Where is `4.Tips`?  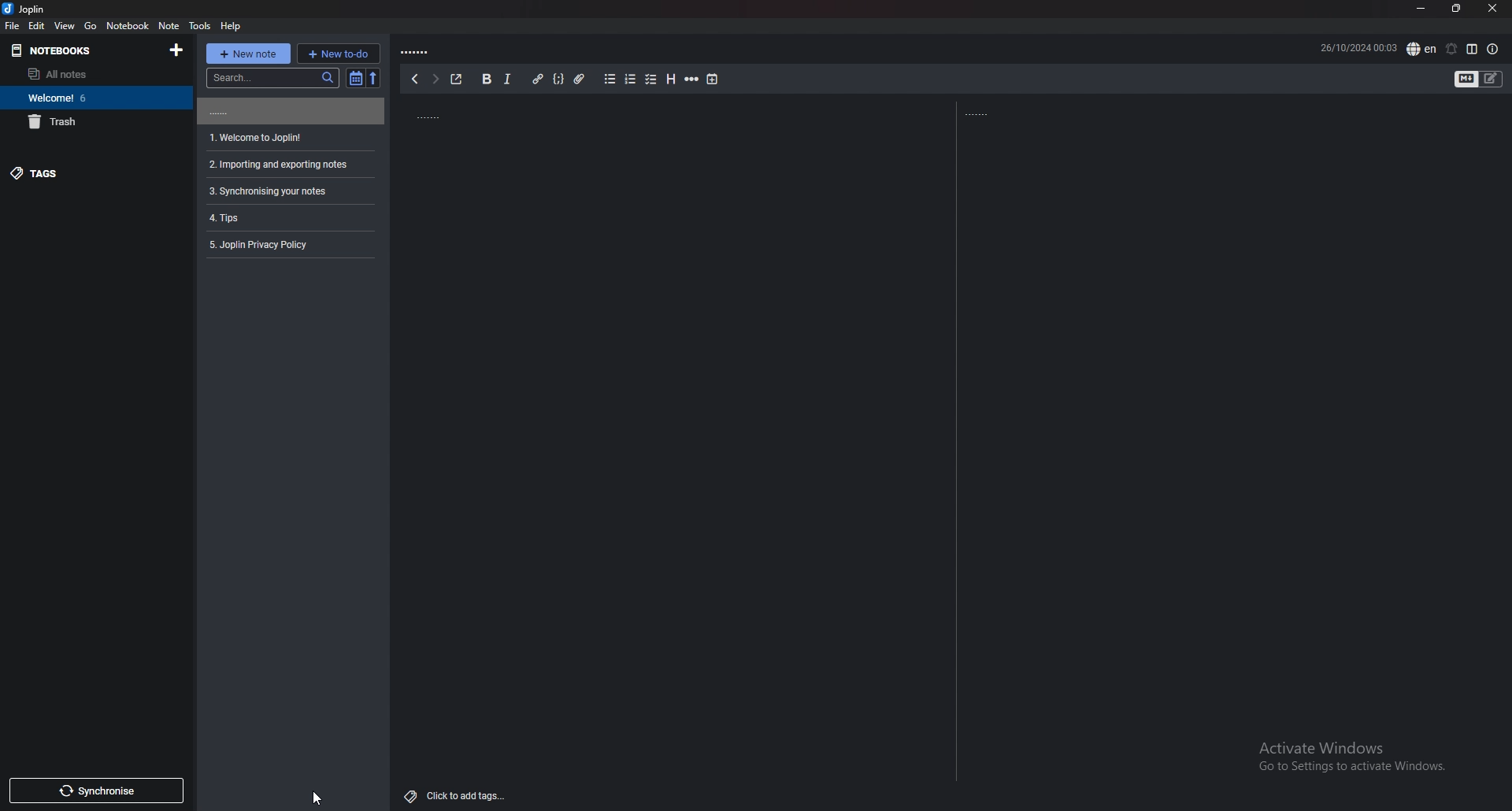 4.Tips is located at coordinates (237, 217).